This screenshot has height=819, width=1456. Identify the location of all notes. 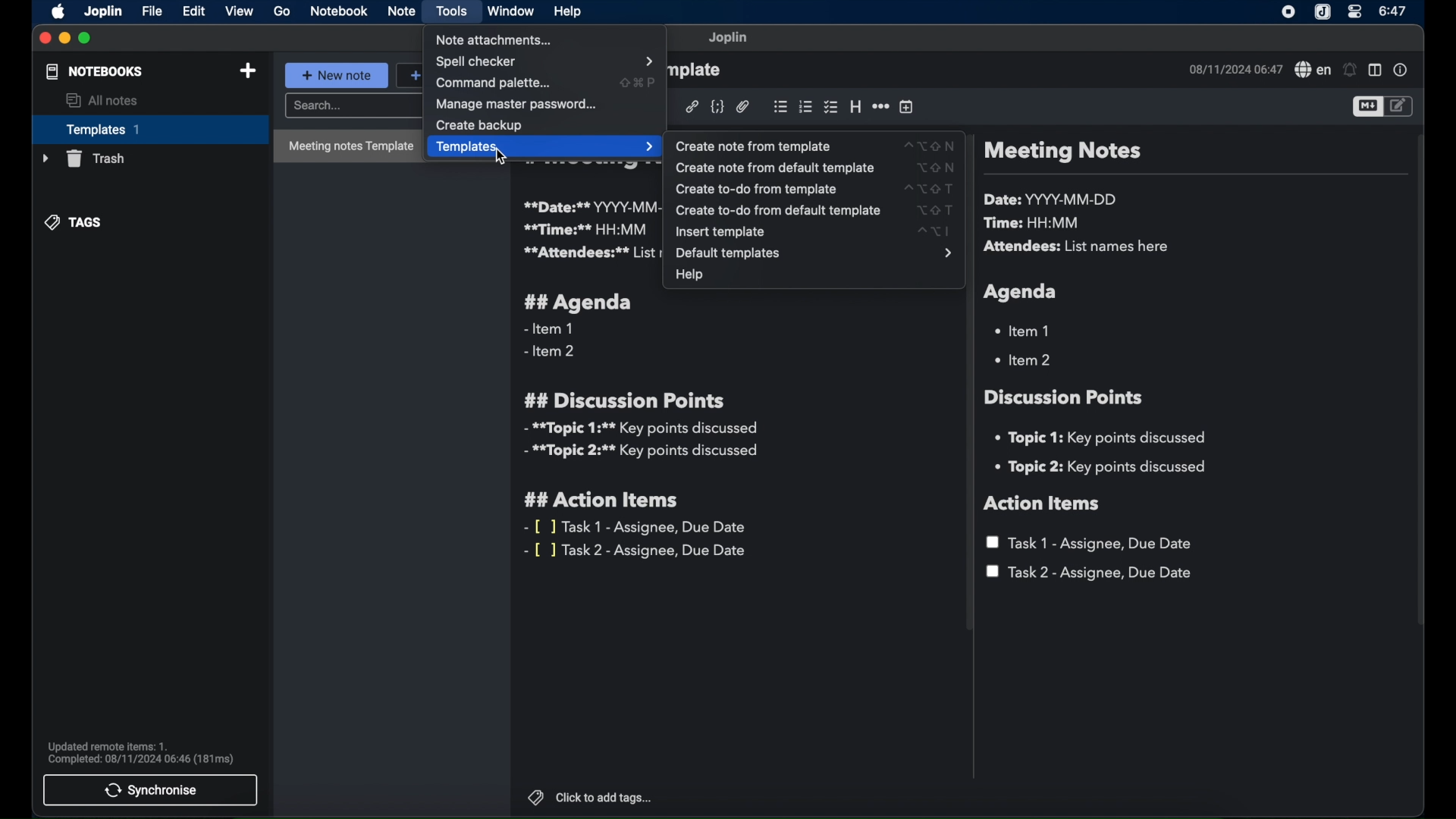
(102, 101).